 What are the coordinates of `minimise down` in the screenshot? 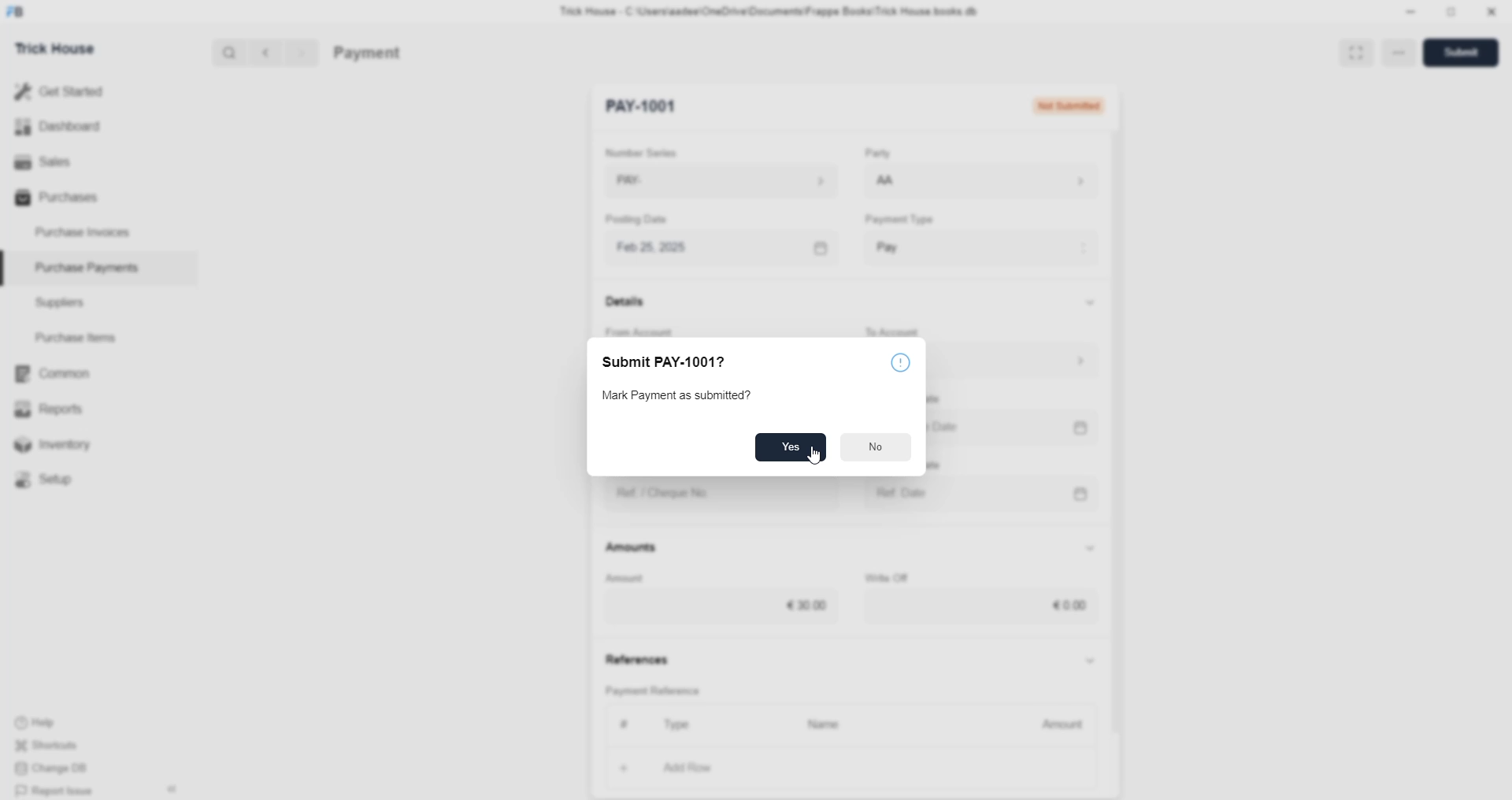 It's located at (1408, 12).